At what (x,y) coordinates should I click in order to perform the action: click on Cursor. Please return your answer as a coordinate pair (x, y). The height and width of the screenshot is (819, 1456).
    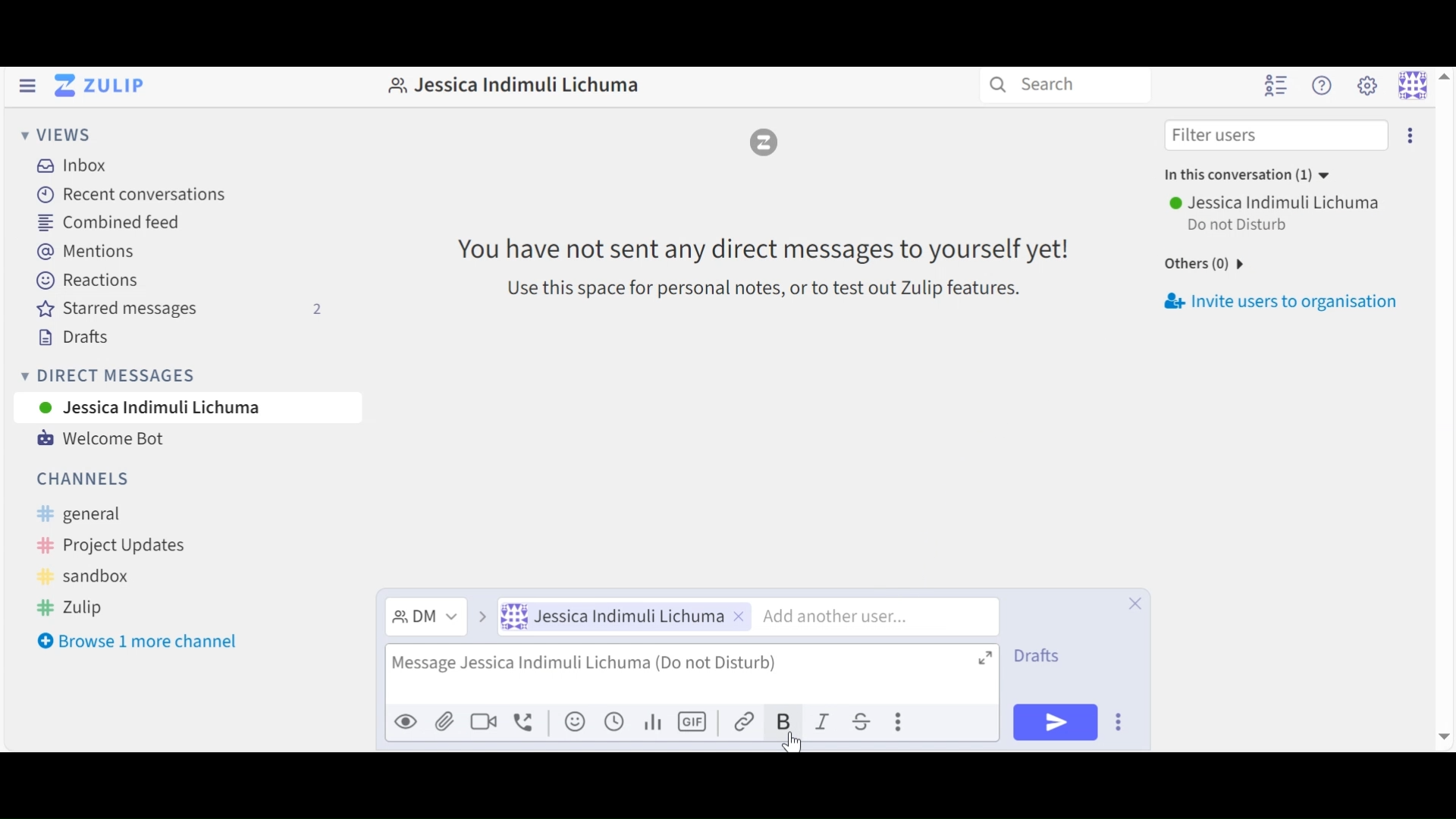
    Looking at the image, I should click on (792, 742).